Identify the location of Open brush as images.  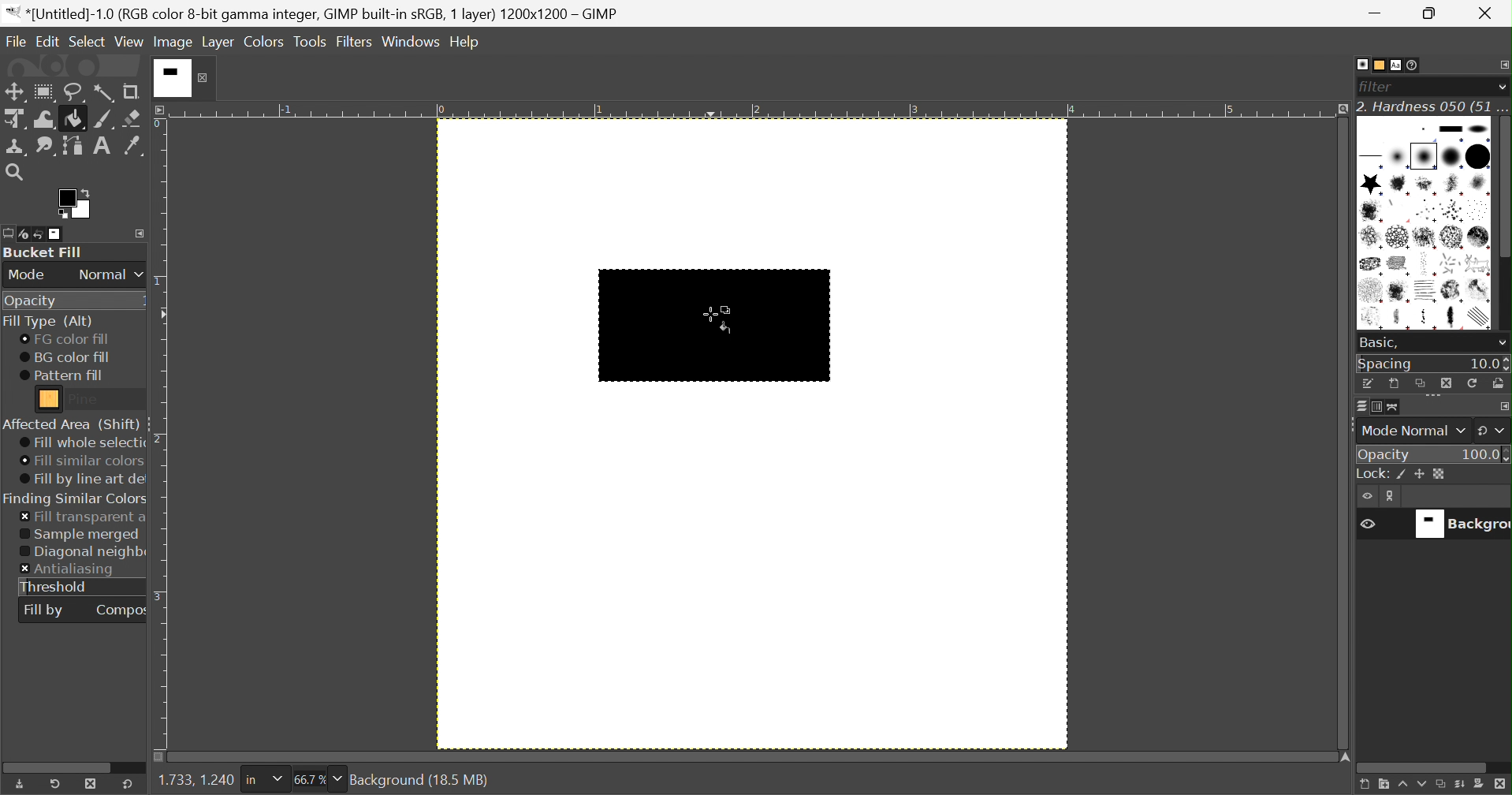
(1498, 383).